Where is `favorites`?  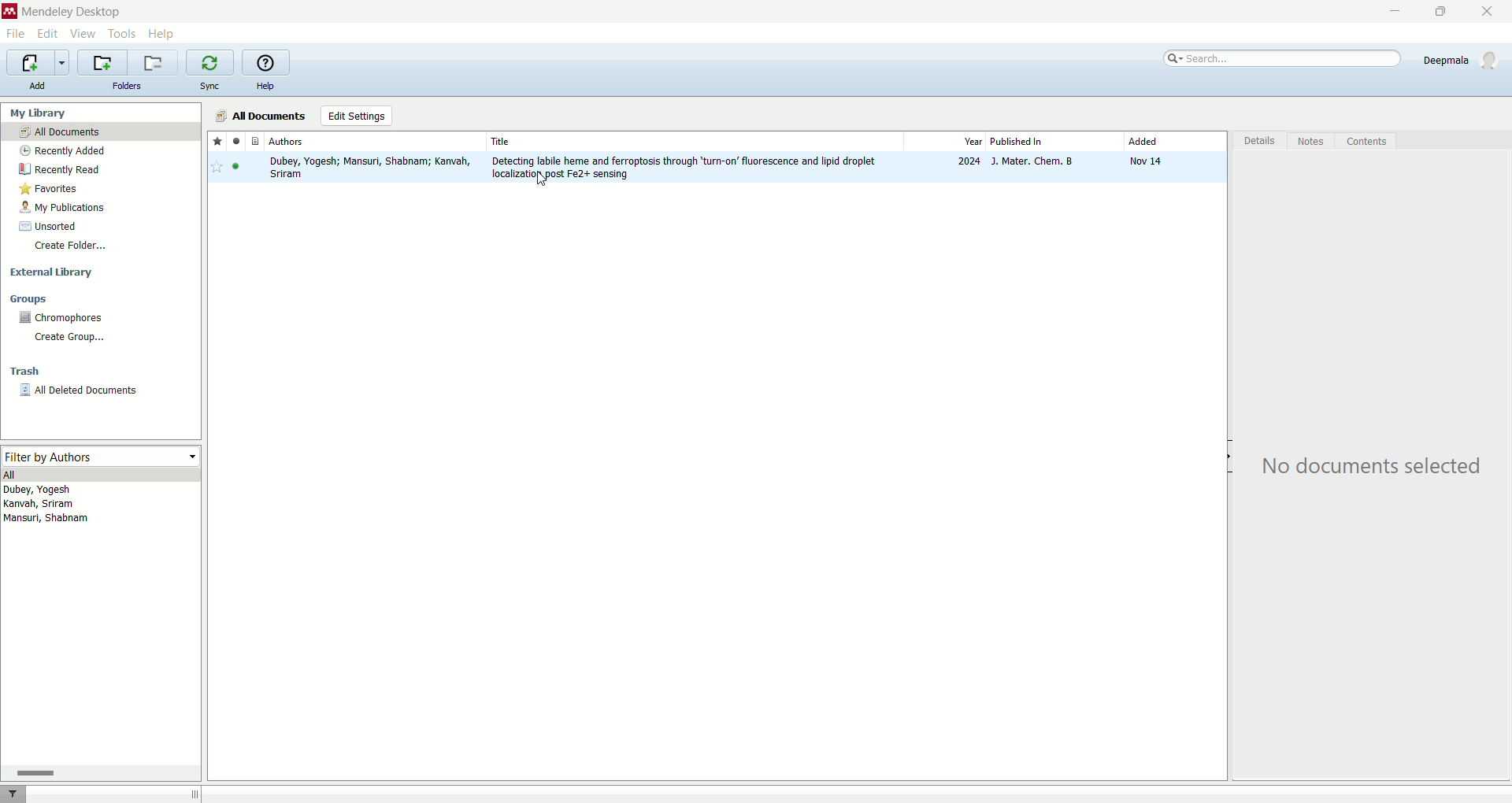
favorites is located at coordinates (49, 190).